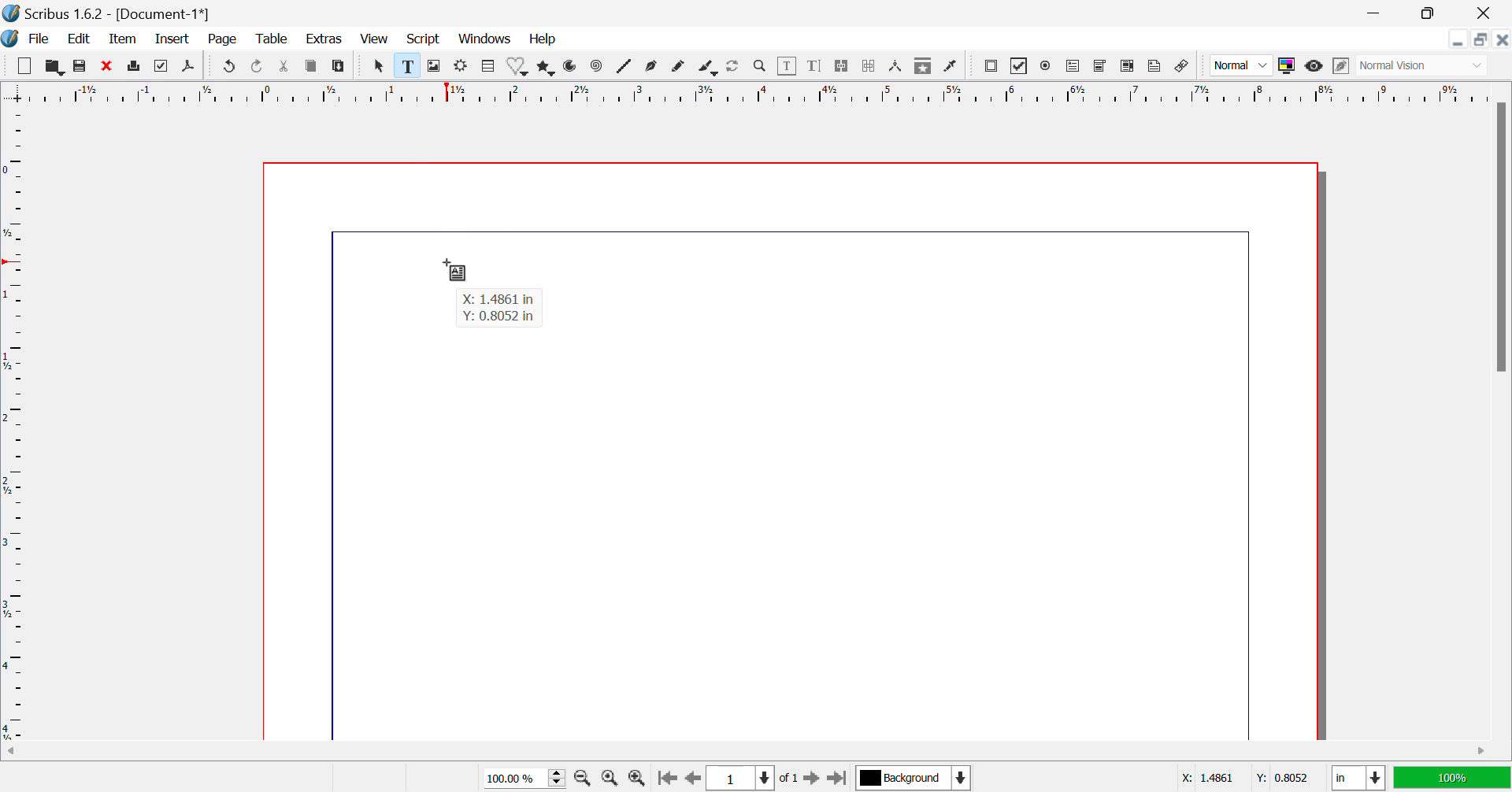 This screenshot has height=792, width=1512. Describe the element at coordinates (839, 68) in the screenshot. I see `Link Text Frames` at that location.